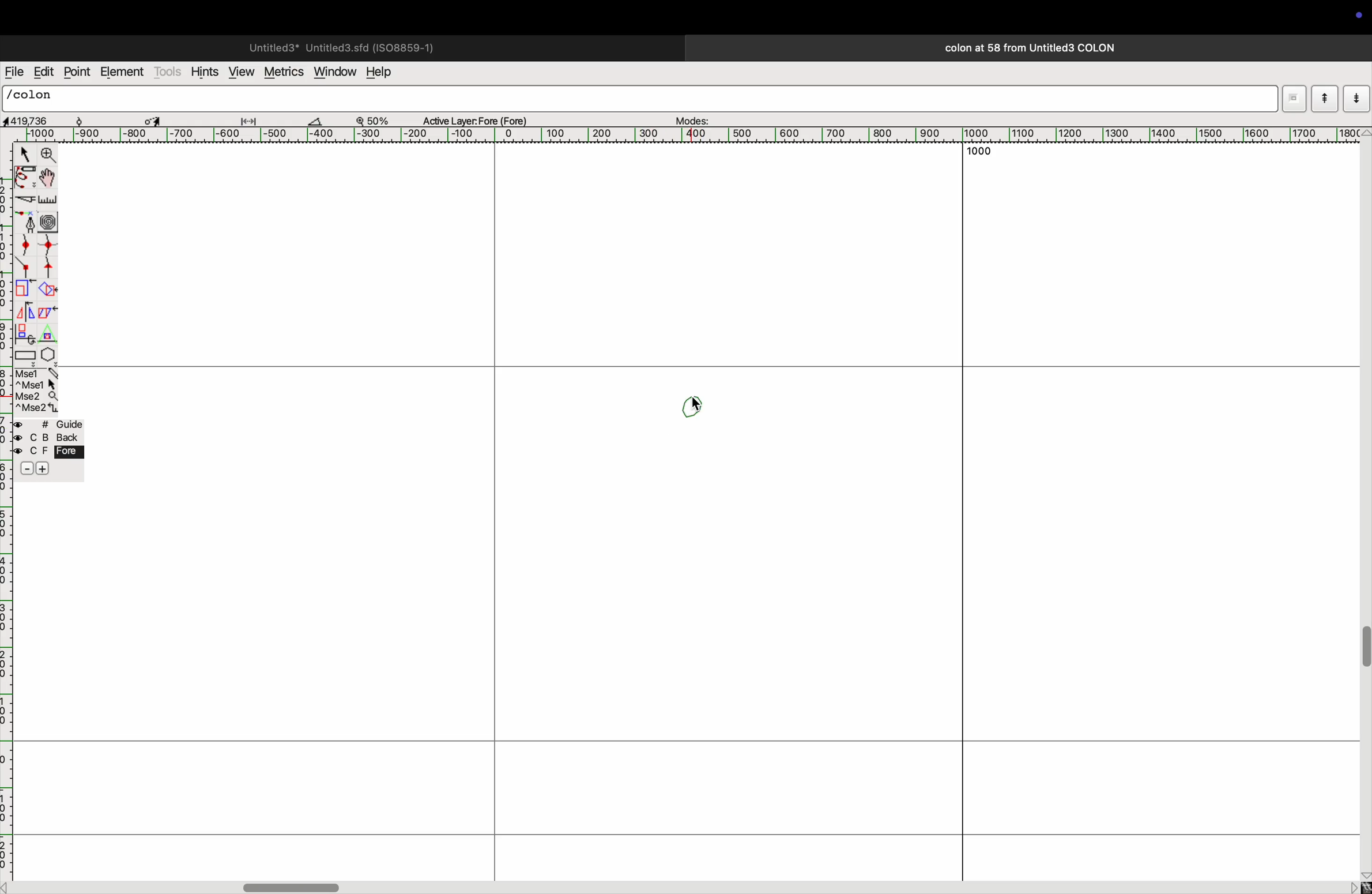 The width and height of the screenshot is (1372, 894). I want to click on element, so click(122, 73).